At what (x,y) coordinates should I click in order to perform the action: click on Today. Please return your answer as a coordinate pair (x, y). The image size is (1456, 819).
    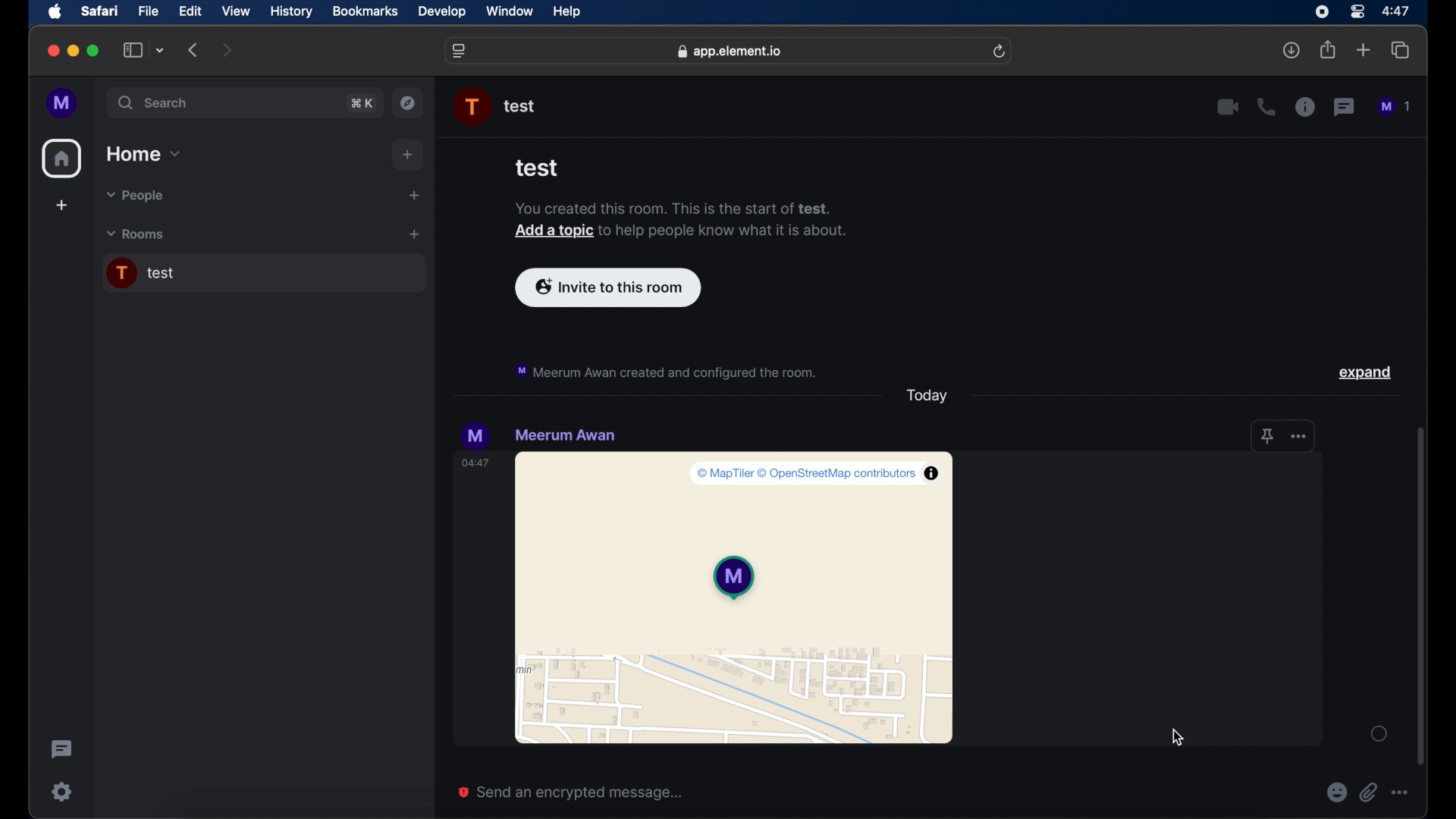
    Looking at the image, I should click on (924, 397).